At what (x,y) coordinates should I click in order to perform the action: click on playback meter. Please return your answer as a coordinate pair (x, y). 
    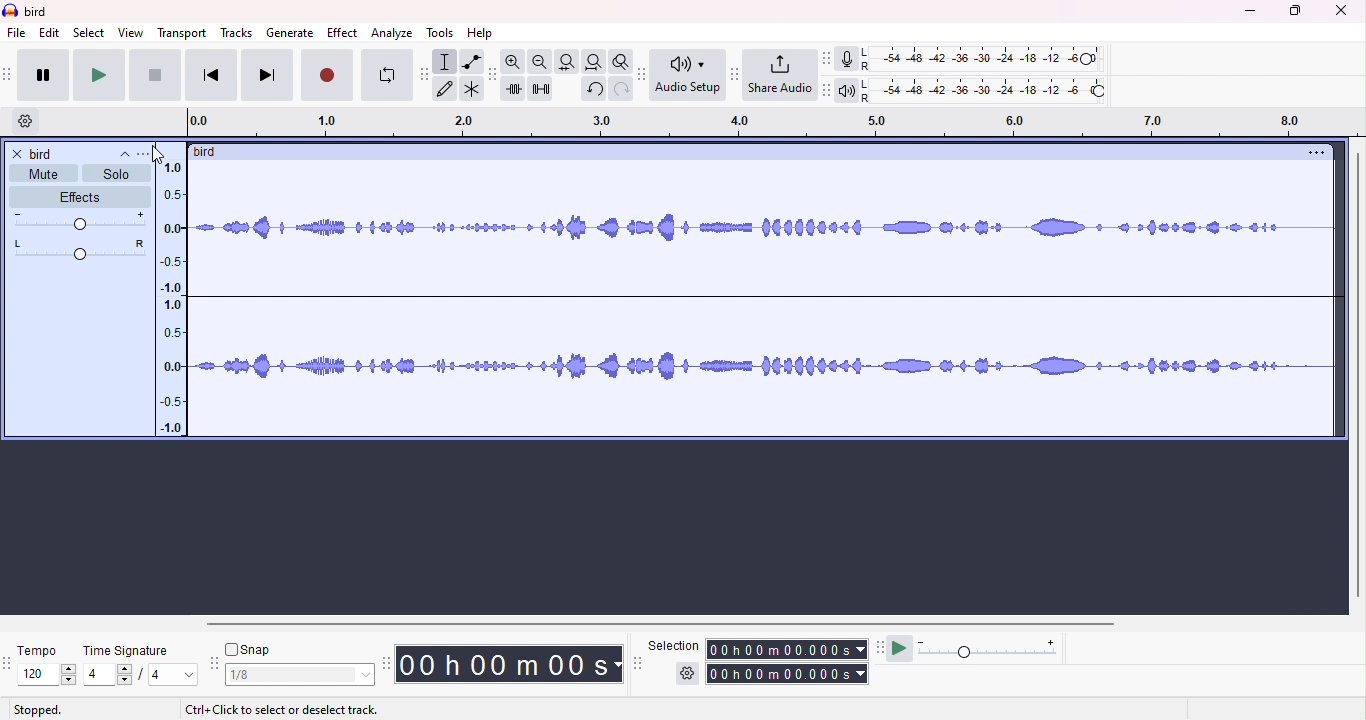
    Looking at the image, I should click on (849, 89).